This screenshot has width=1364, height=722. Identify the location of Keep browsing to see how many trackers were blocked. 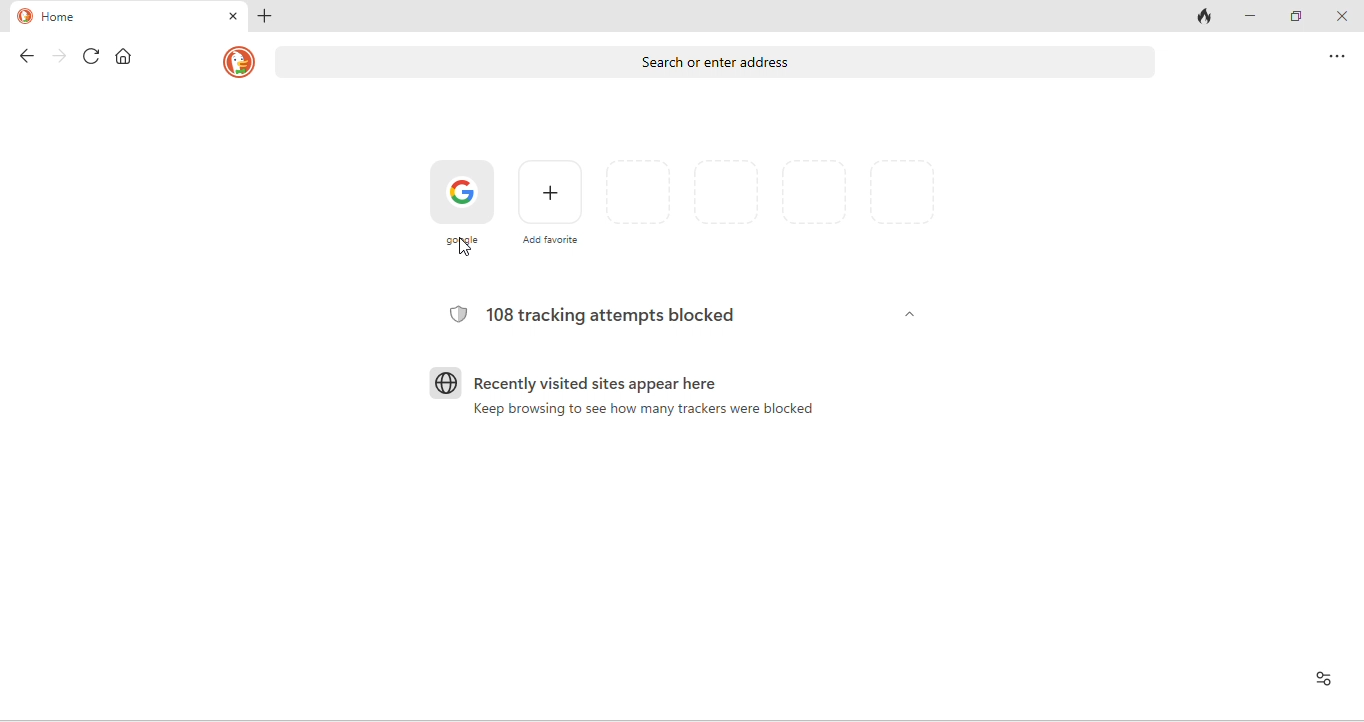
(646, 409).